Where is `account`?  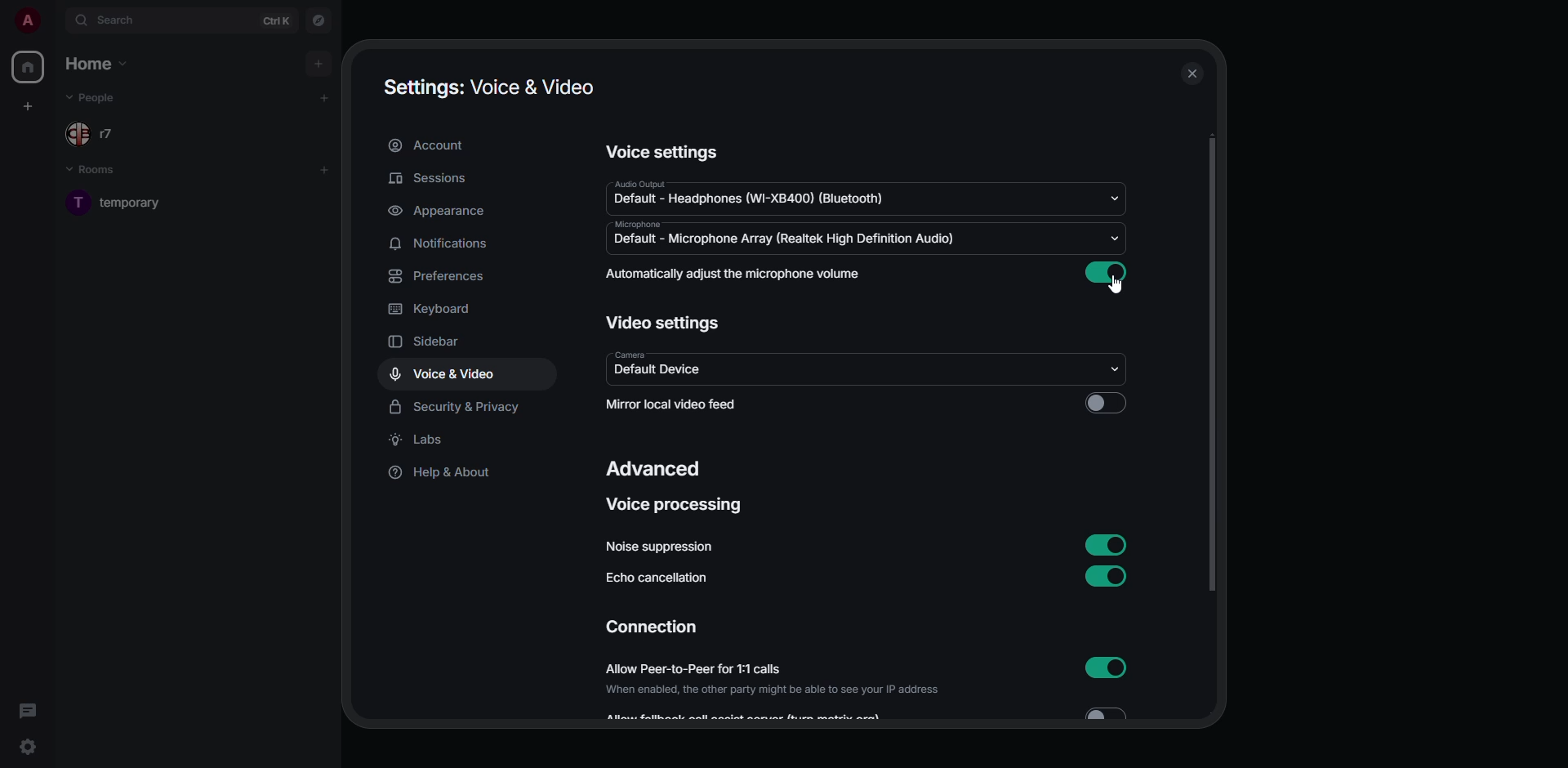
account is located at coordinates (430, 145).